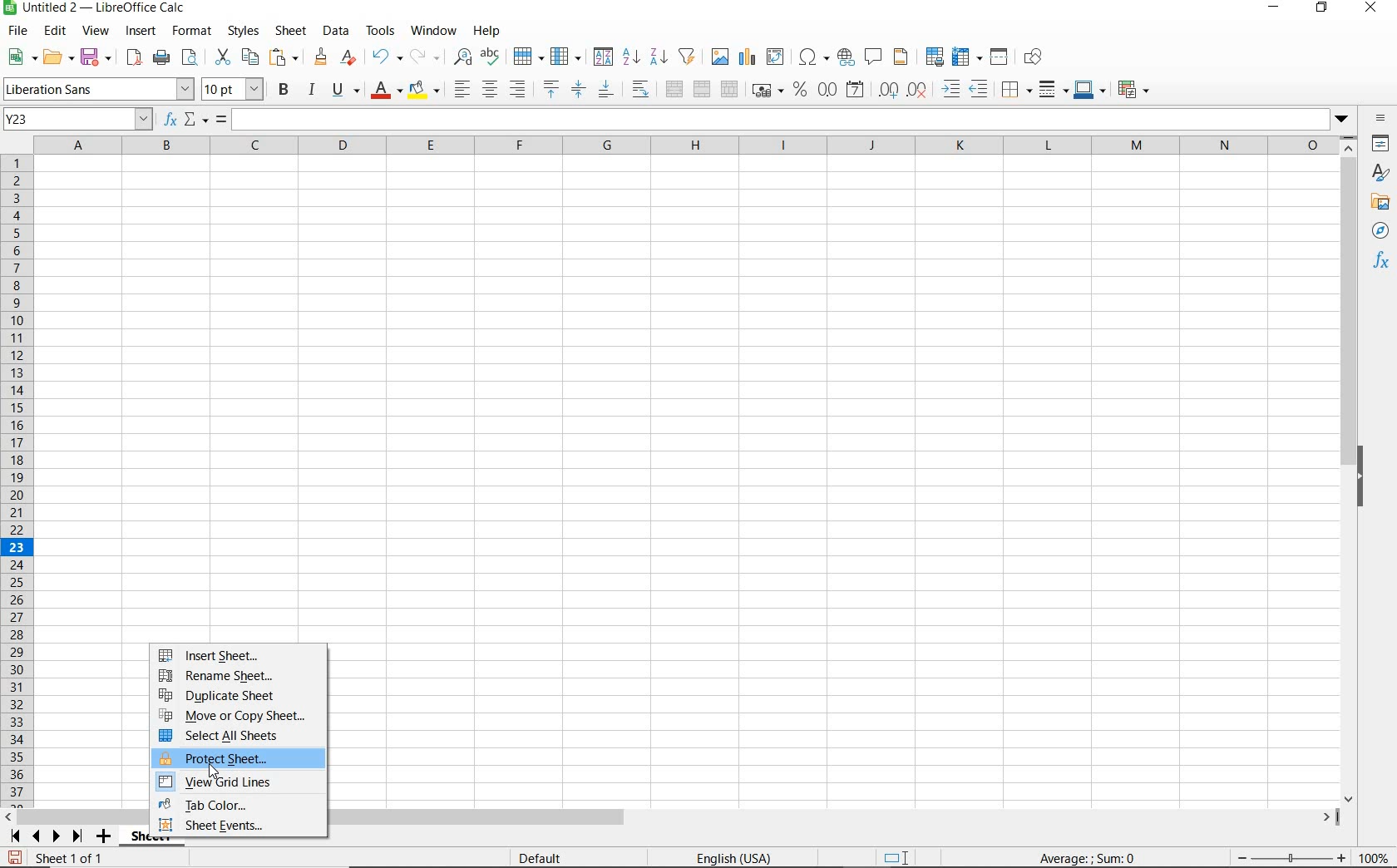  I want to click on SPLIT WINDOW, so click(1001, 56).